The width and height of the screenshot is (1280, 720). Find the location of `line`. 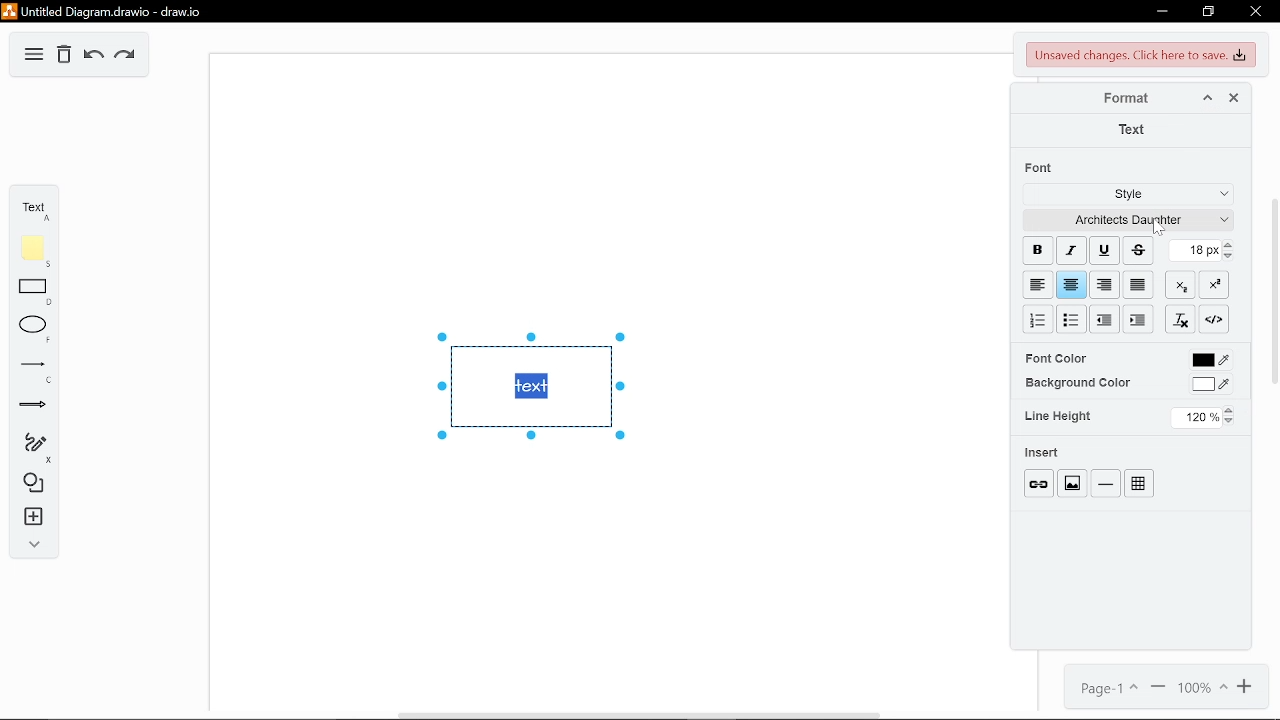

line is located at coordinates (1104, 482).